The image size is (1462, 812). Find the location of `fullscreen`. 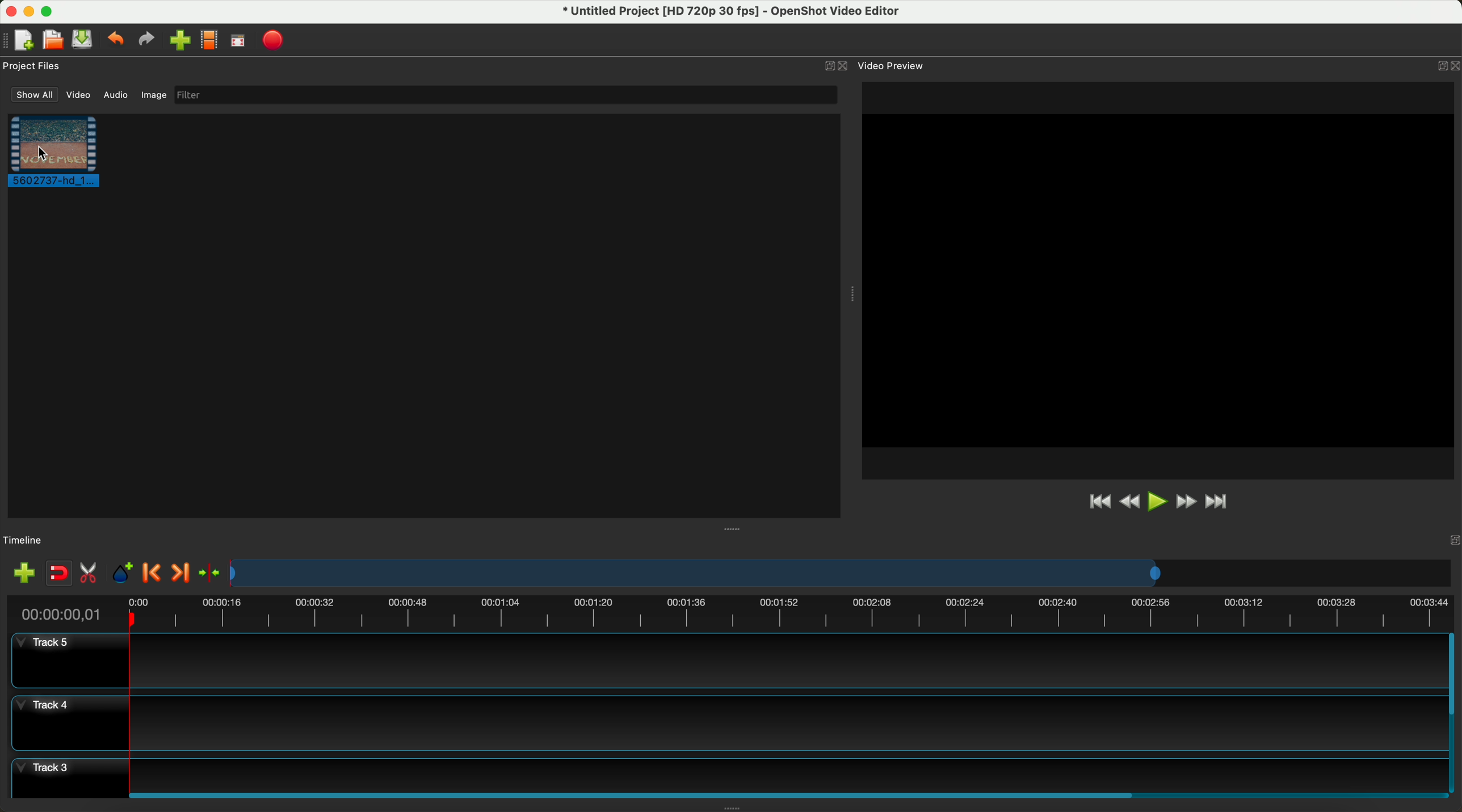

fullscreen is located at coordinates (237, 41).